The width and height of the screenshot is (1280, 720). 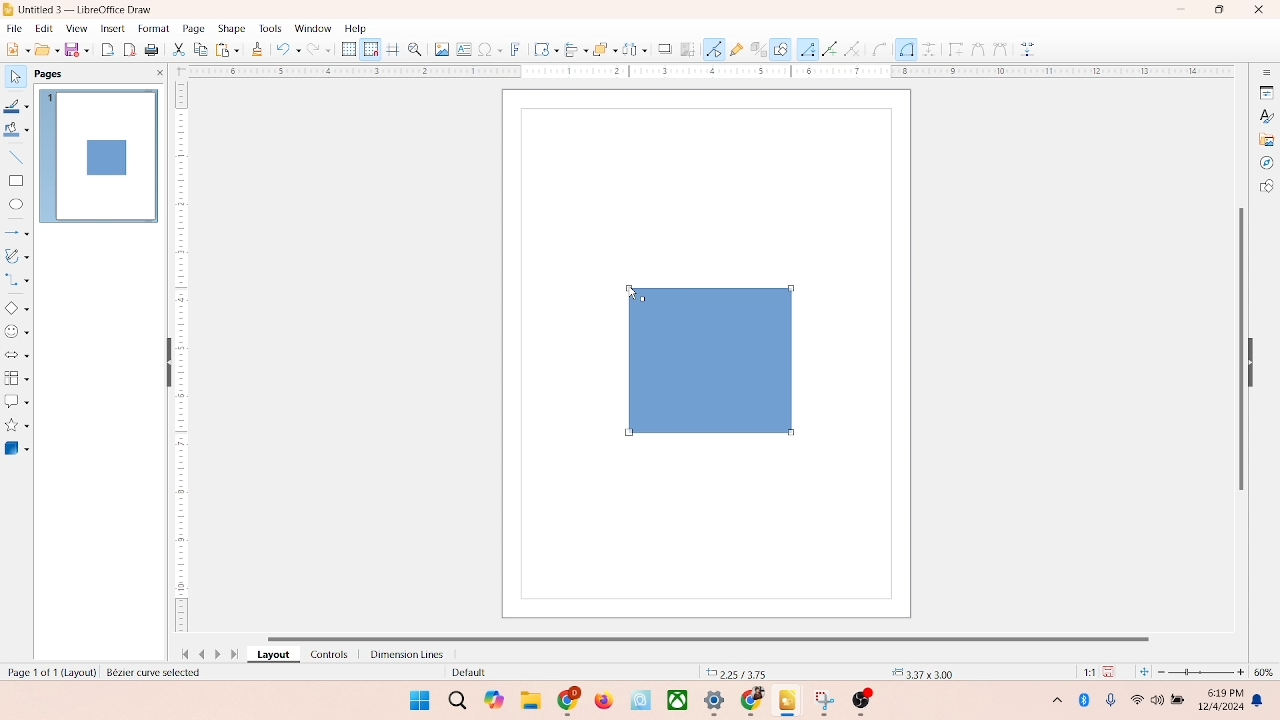 What do you see at coordinates (781, 48) in the screenshot?
I see `draw function` at bounding box center [781, 48].